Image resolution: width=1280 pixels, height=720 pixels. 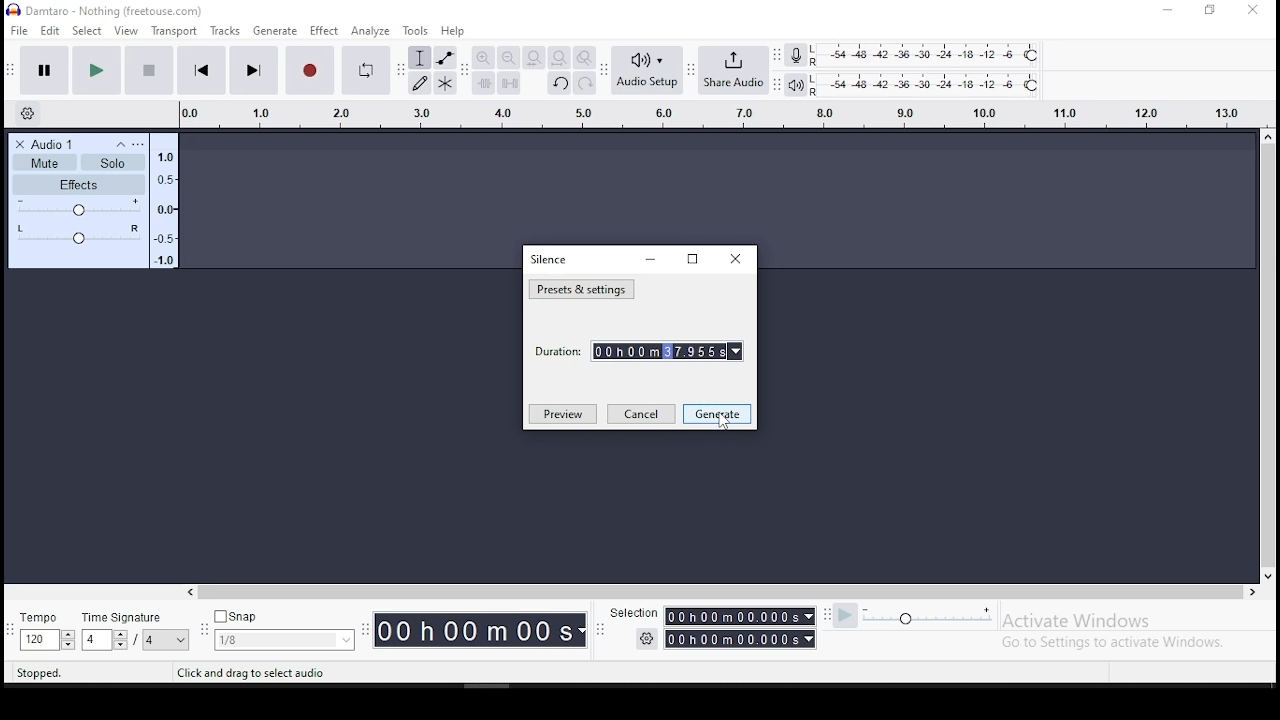 What do you see at coordinates (173, 31) in the screenshot?
I see `transport` at bounding box center [173, 31].